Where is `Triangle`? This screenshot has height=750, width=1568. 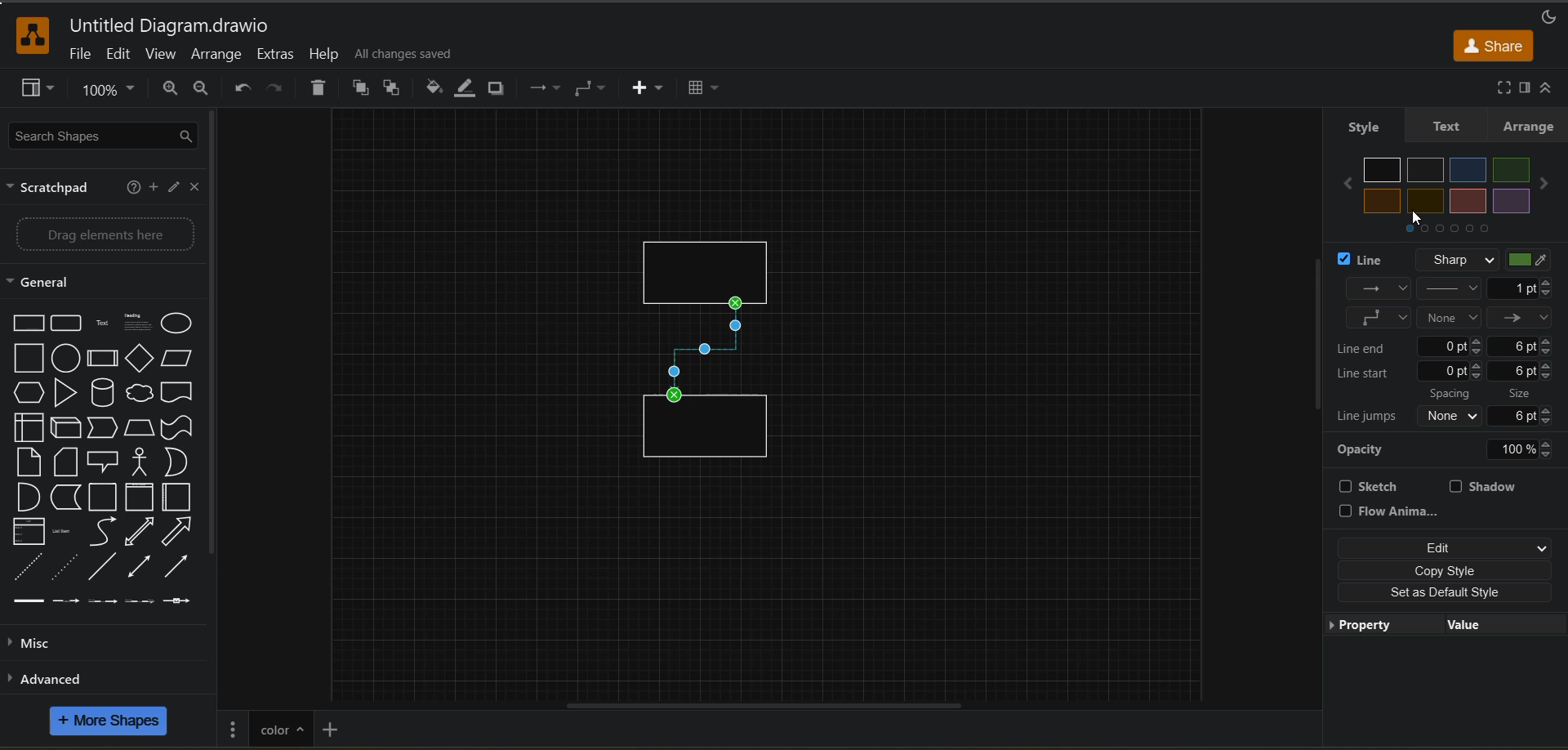 Triangle is located at coordinates (65, 393).